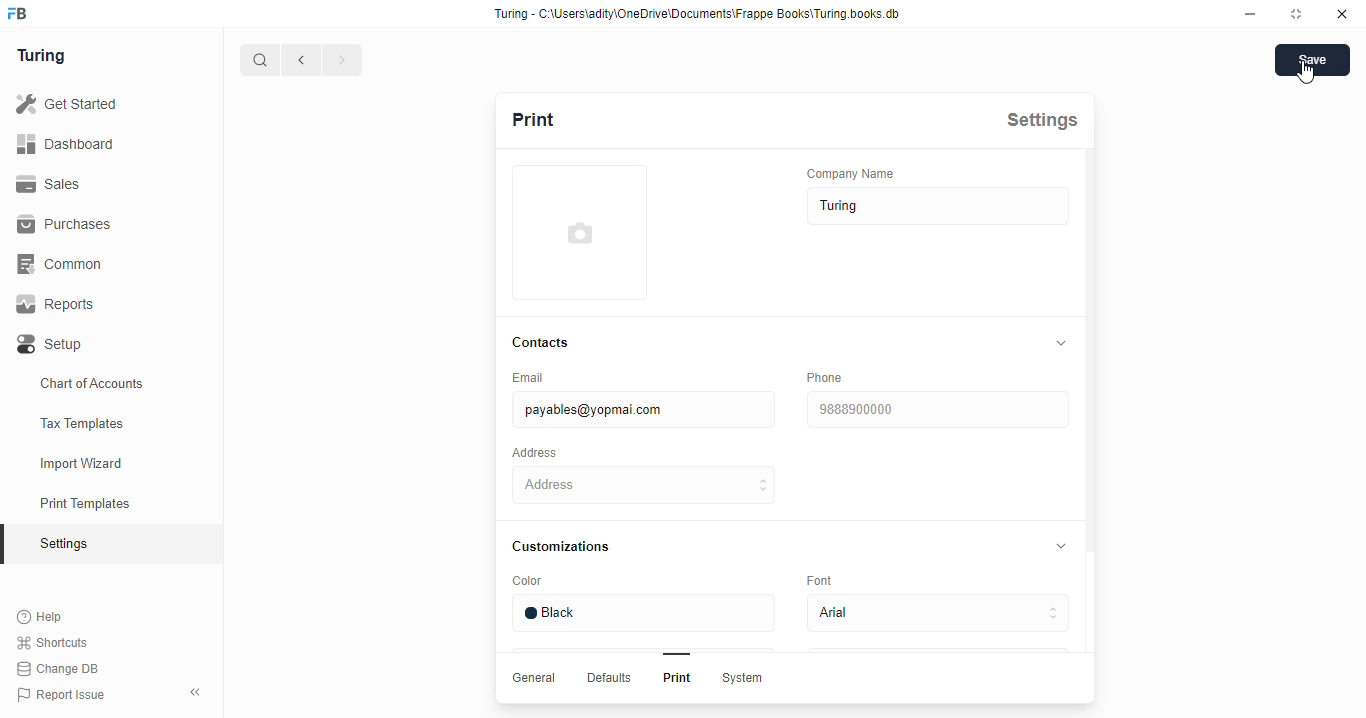 This screenshot has height=718, width=1366. I want to click on Color, so click(563, 583).